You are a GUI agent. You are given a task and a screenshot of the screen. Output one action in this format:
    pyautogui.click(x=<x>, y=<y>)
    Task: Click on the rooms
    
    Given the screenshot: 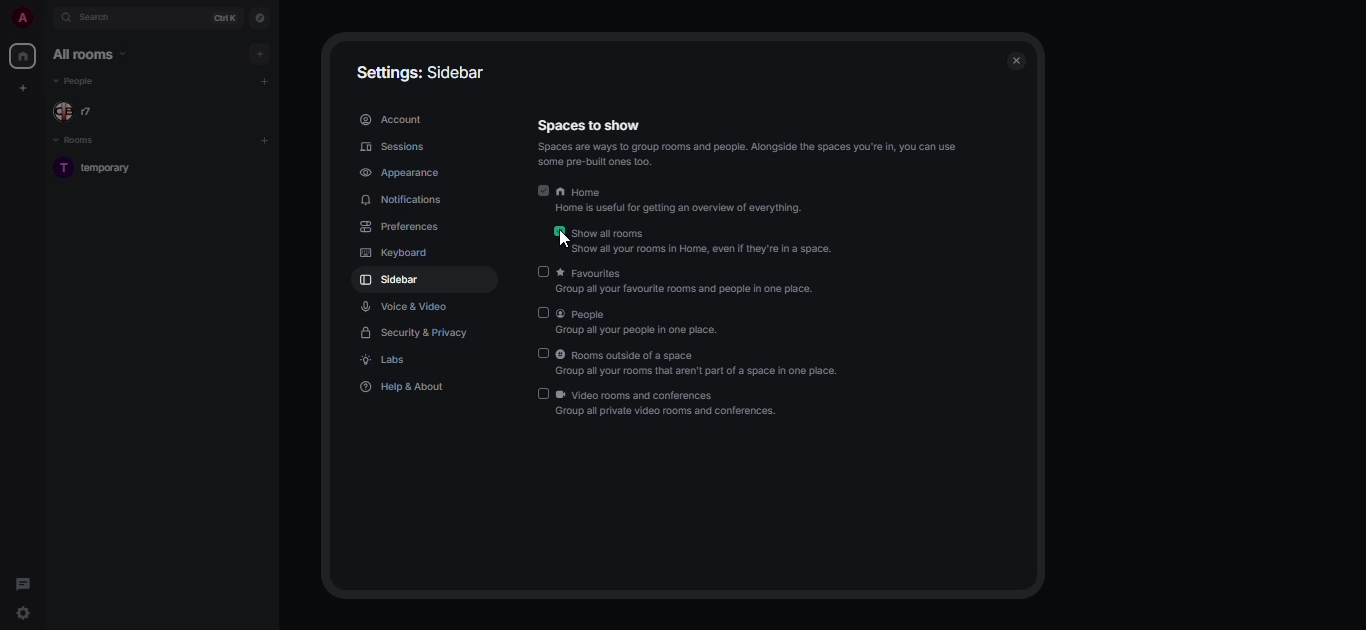 What is the action you would take?
    pyautogui.click(x=73, y=141)
    